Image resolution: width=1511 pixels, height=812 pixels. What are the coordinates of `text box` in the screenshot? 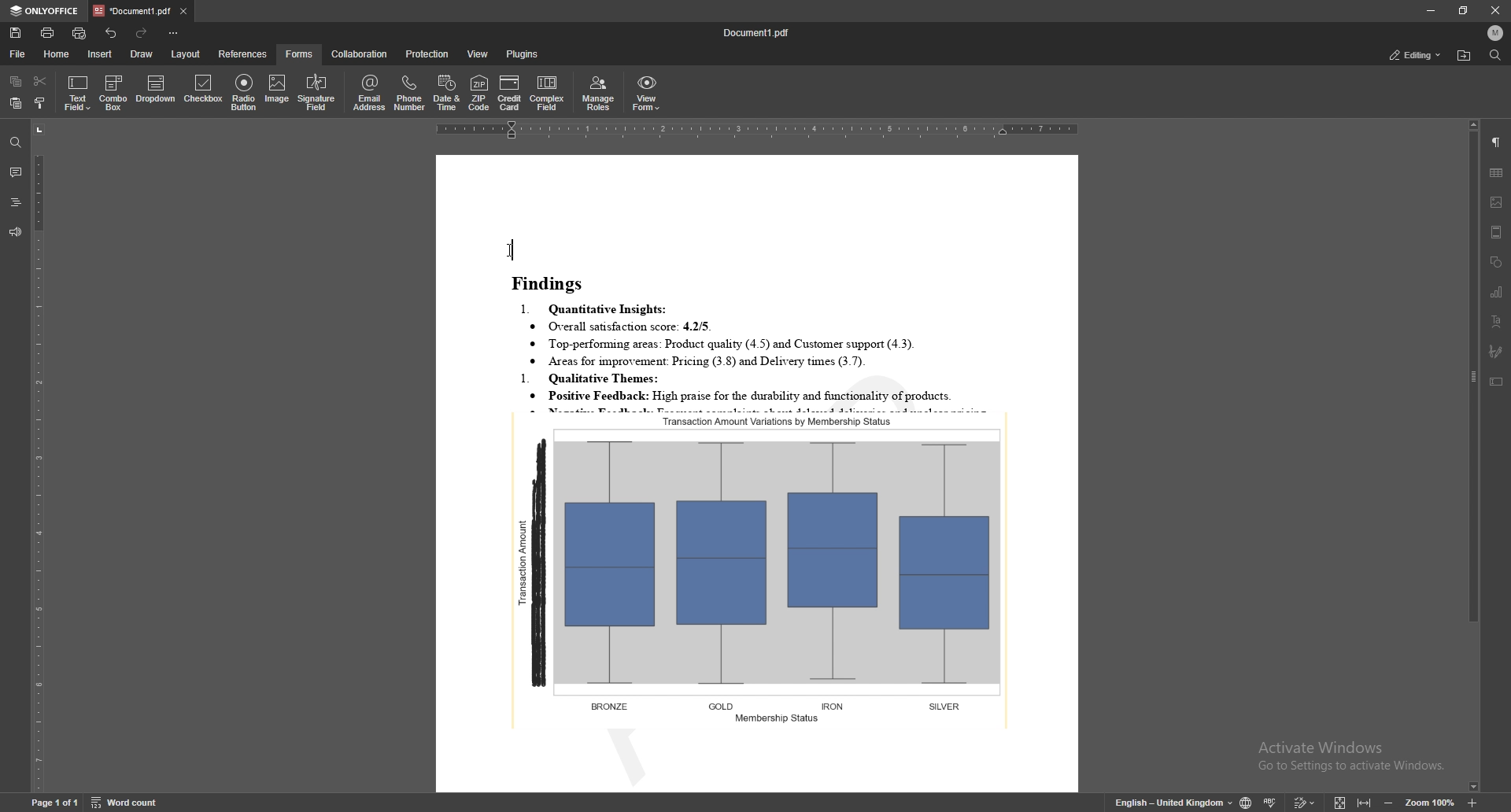 It's located at (1496, 382).